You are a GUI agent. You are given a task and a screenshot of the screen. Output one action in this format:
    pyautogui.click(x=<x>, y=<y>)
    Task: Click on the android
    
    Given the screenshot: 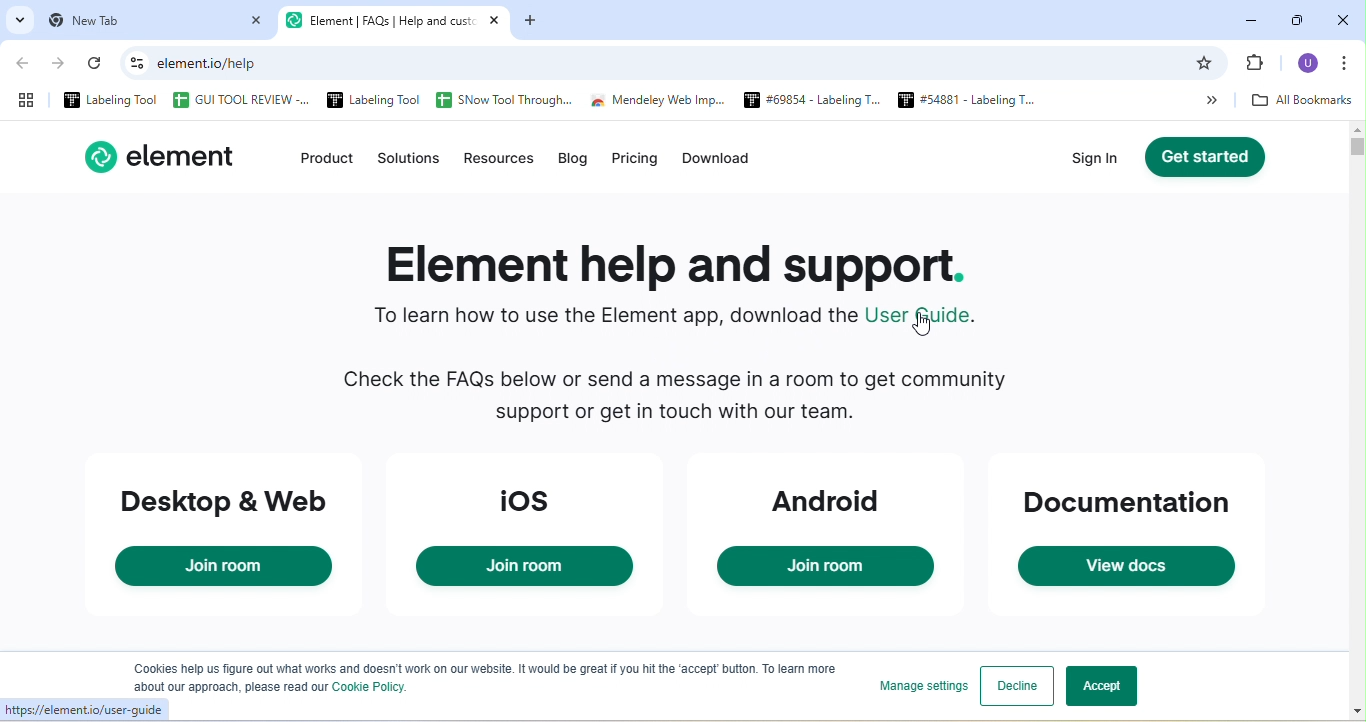 What is the action you would take?
    pyautogui.click(x=808, y=499)
    